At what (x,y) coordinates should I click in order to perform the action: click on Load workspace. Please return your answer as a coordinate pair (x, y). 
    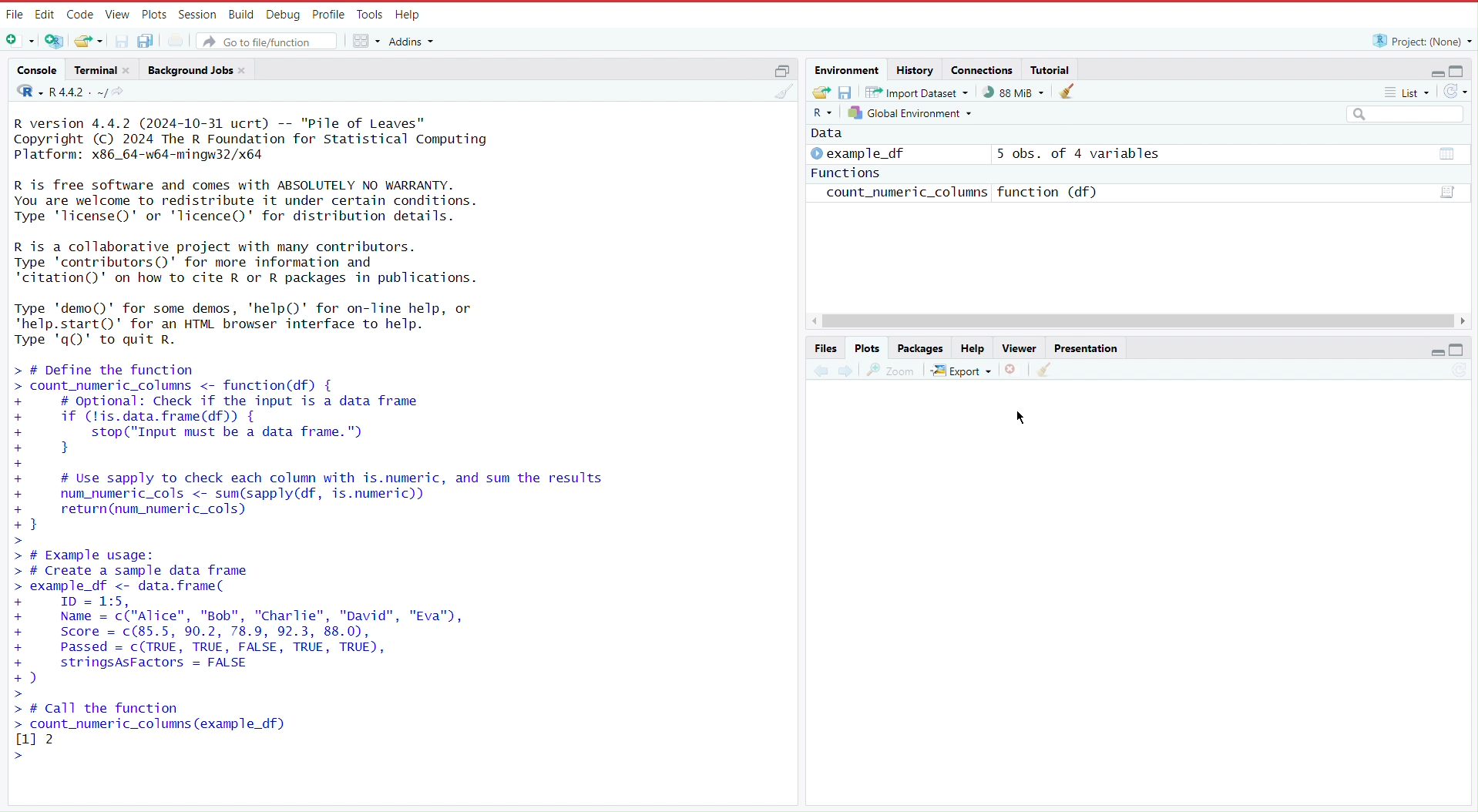
    Looking at the image, I should click on (821, 91).